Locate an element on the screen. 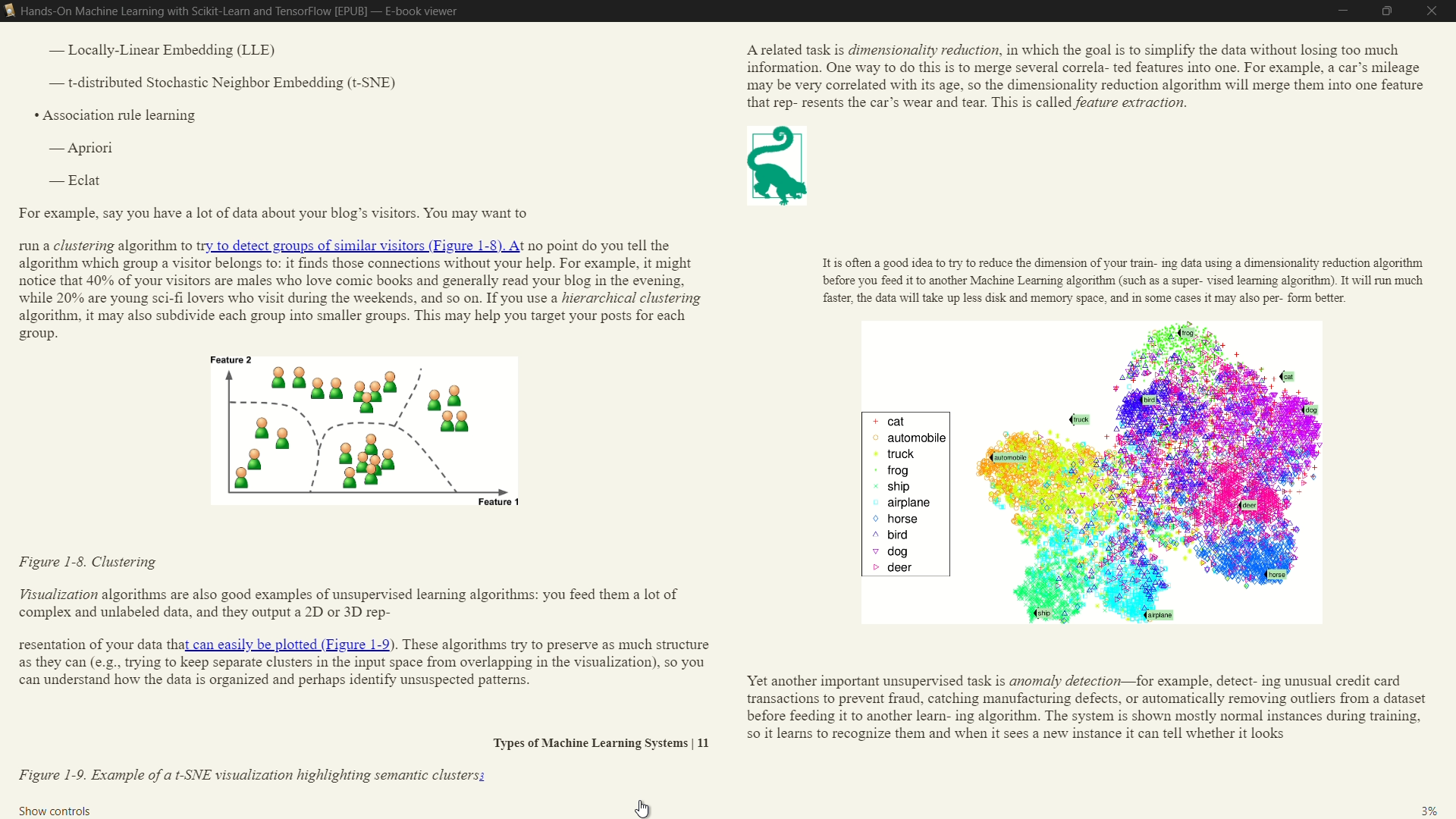 The height and width of the screenshot is (819, 1456). book name is located at coordinates (194, 11).